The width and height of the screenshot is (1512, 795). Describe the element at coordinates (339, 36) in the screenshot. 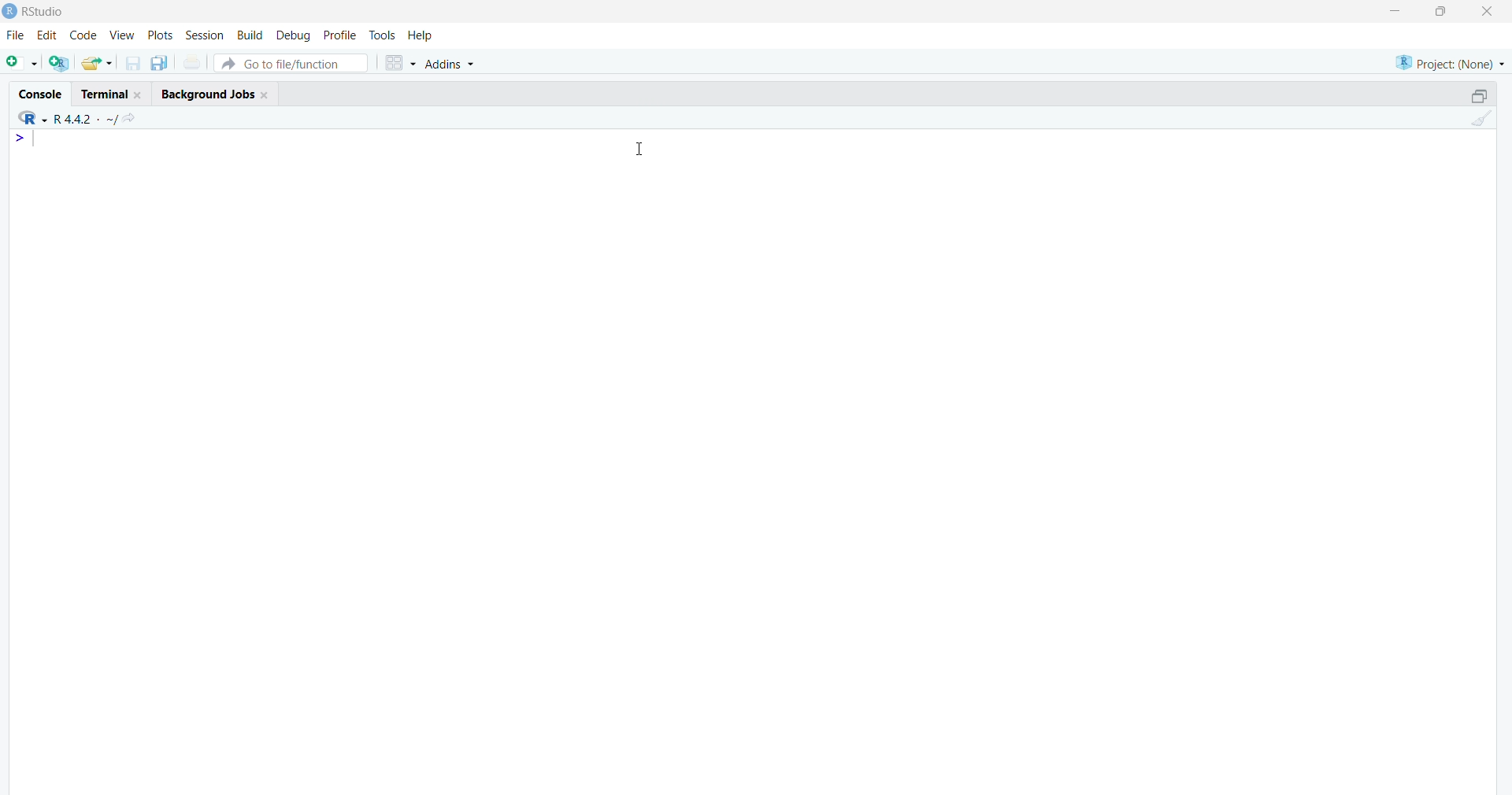

I see `profile` at that location.